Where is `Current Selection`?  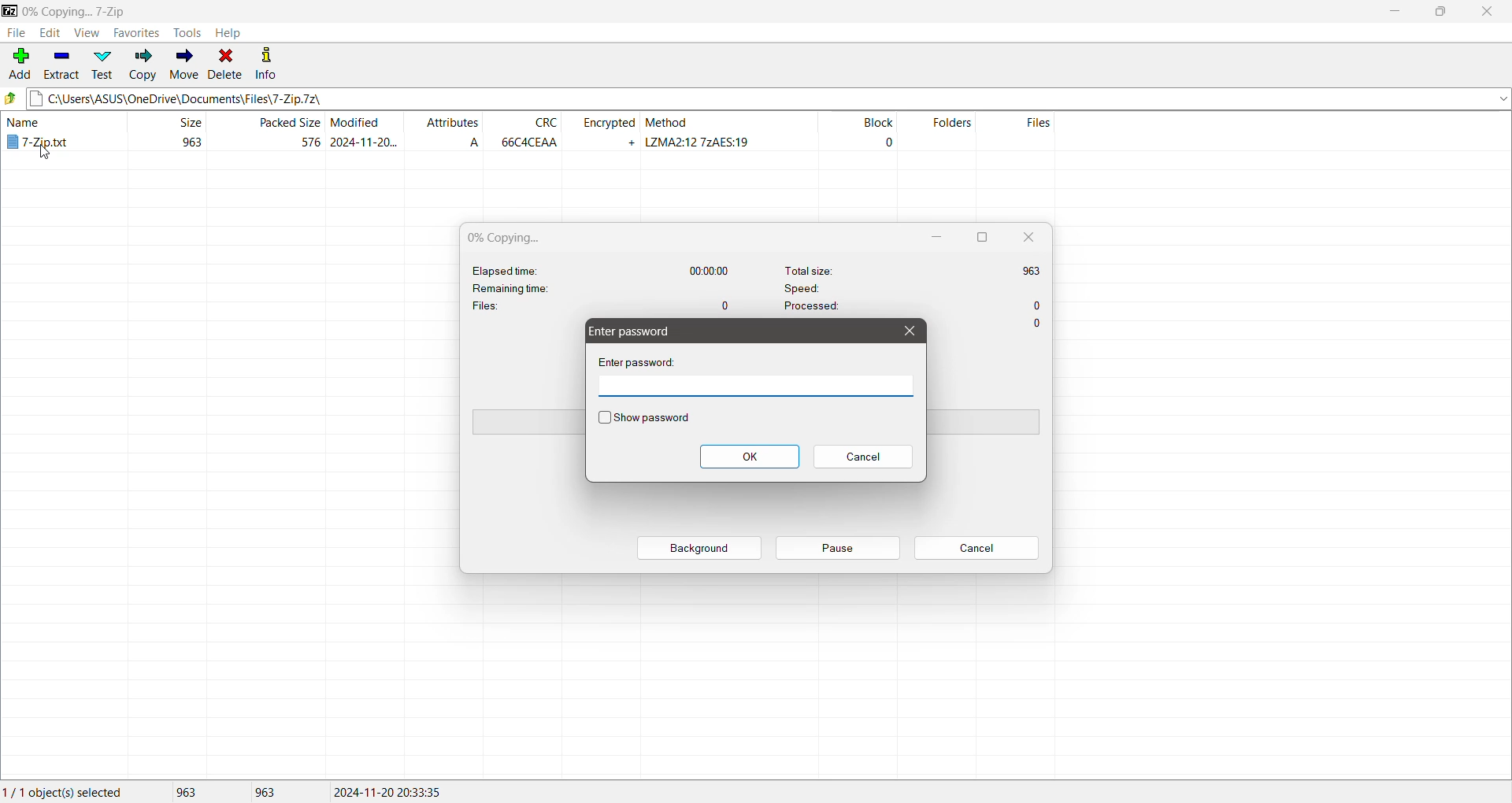 Current Selection is located at coordinates (71, 793).